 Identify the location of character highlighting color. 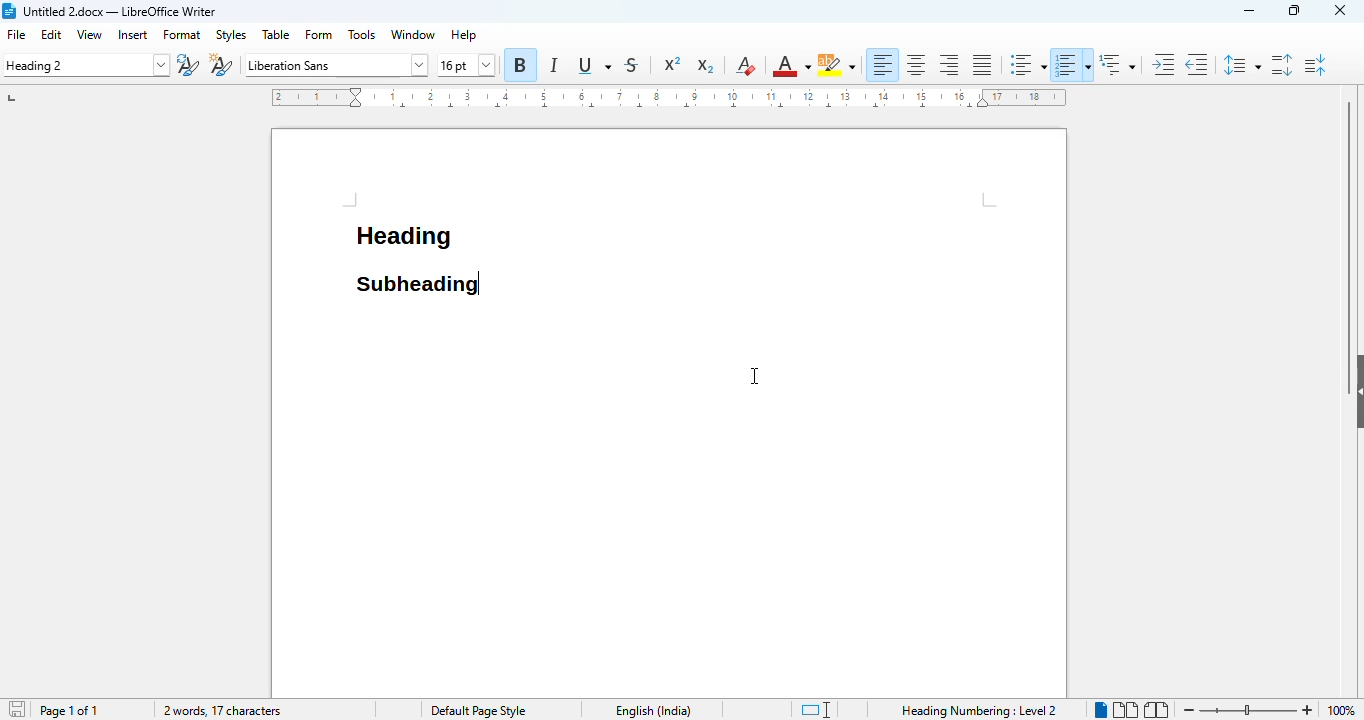
(837, 65).